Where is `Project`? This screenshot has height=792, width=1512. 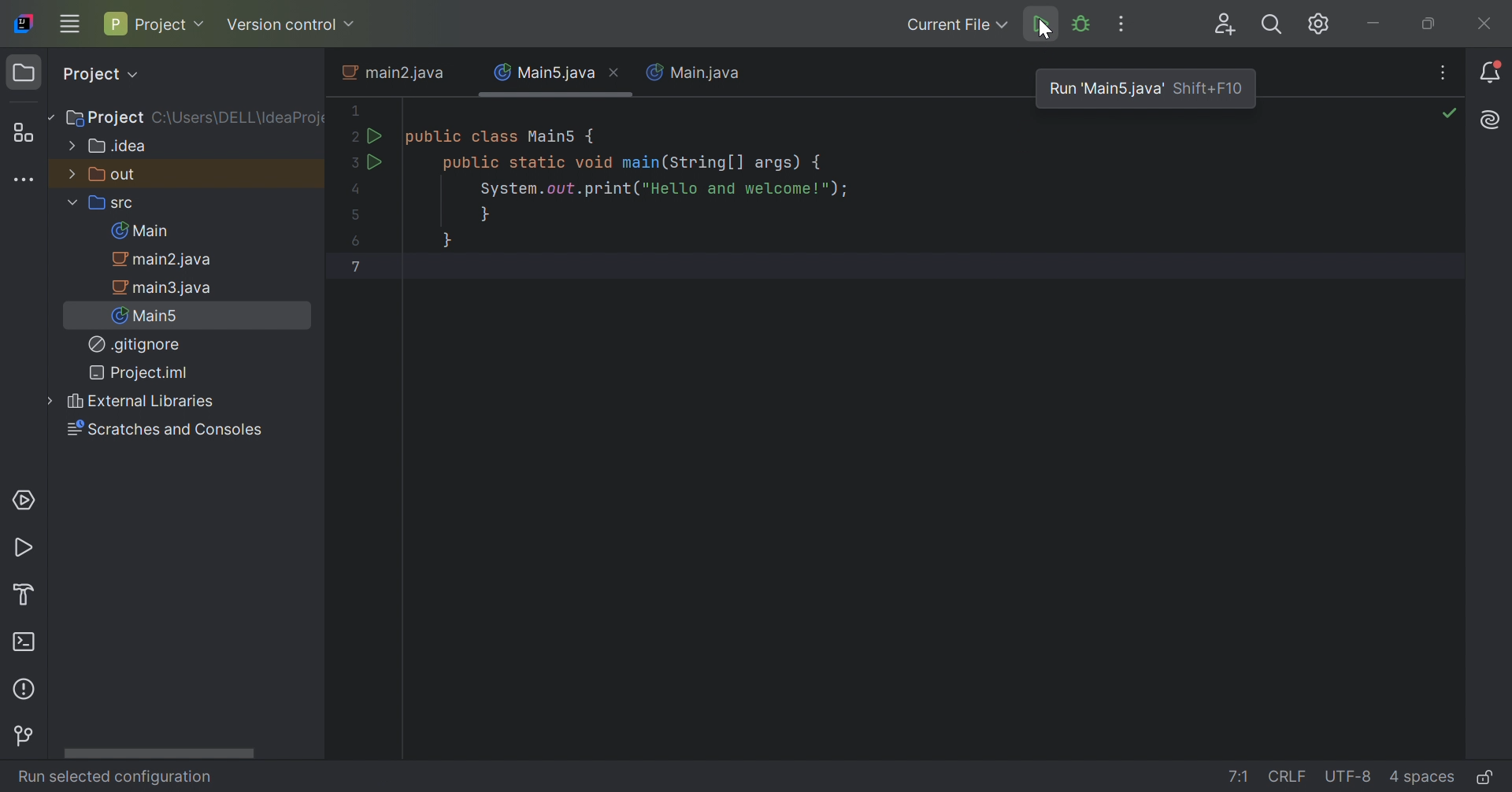
Project is located at coordinates (98, 74).